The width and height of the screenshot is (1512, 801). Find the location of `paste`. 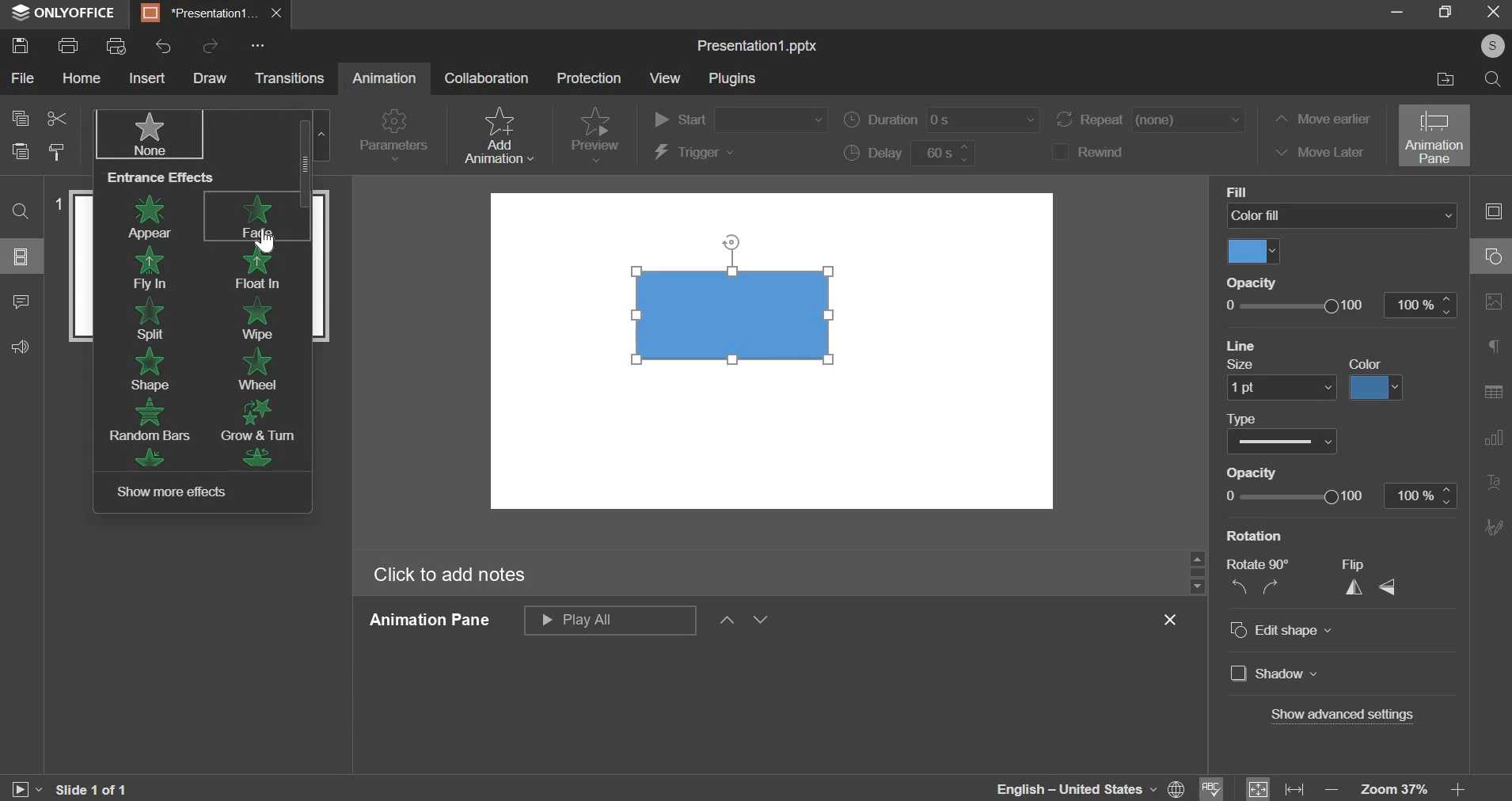

paste is located at coordinates (21, 152).